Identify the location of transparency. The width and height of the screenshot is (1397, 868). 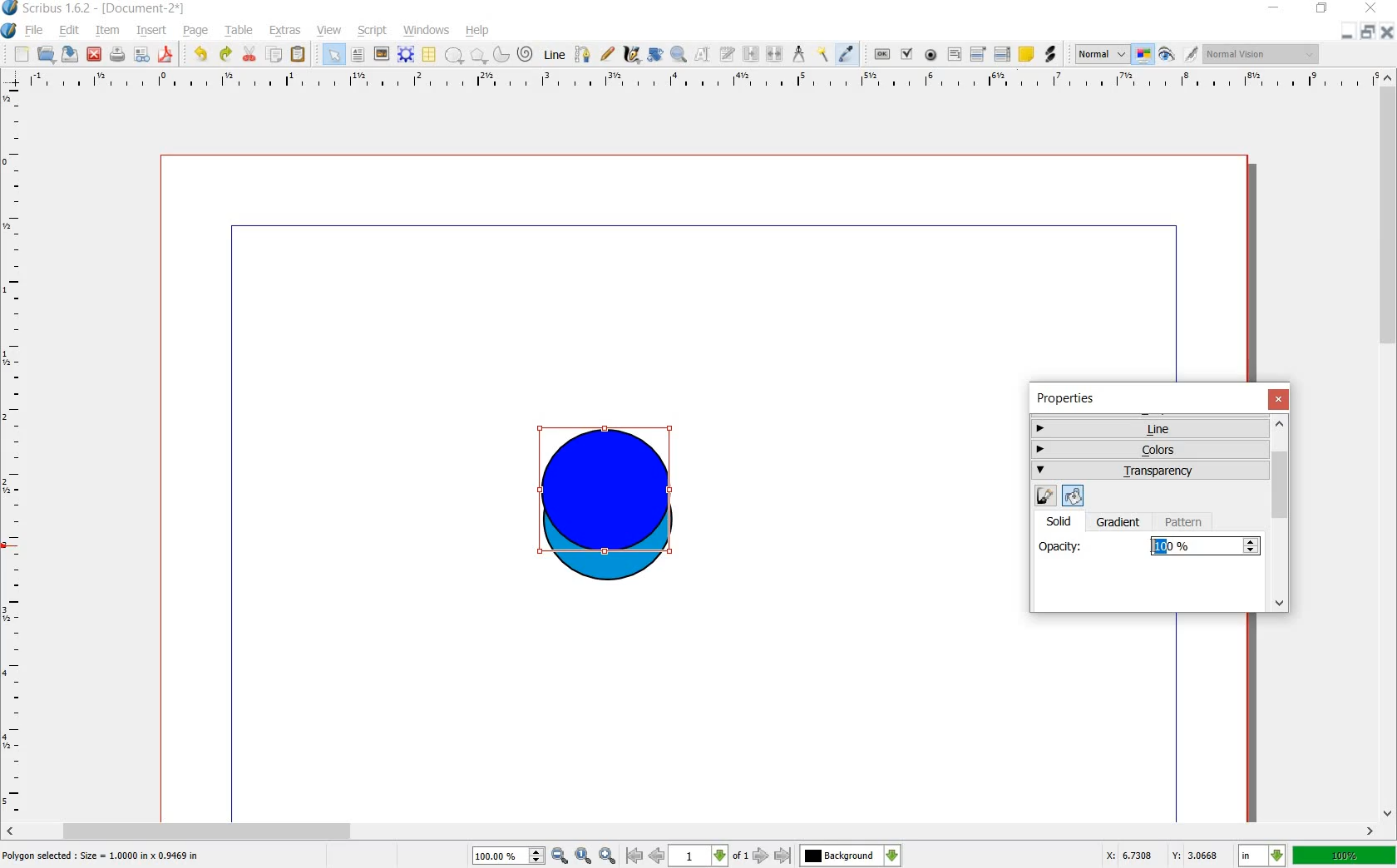
(1151, 471).